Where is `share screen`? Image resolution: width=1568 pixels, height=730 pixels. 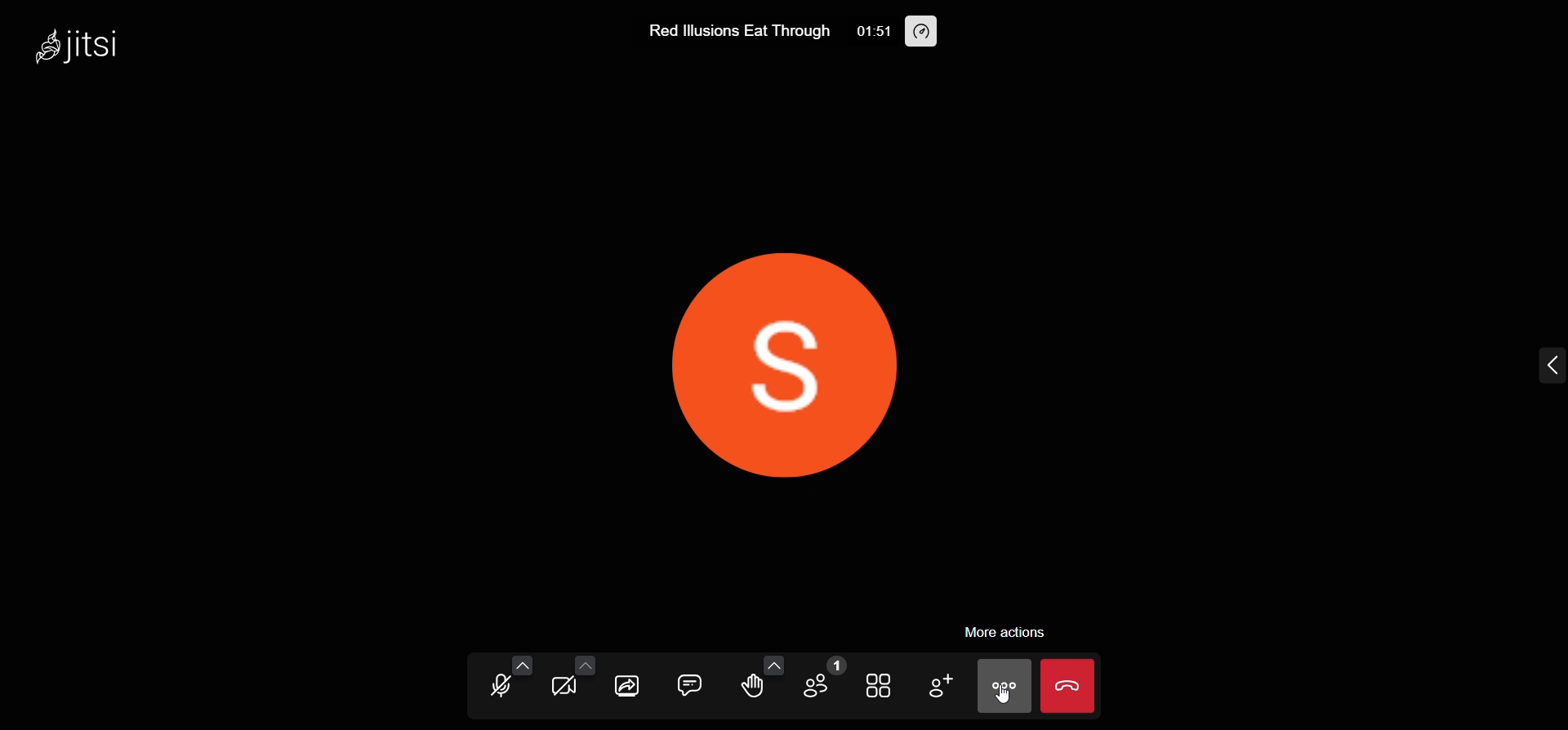 share screen is located at coordinates (629, 686).